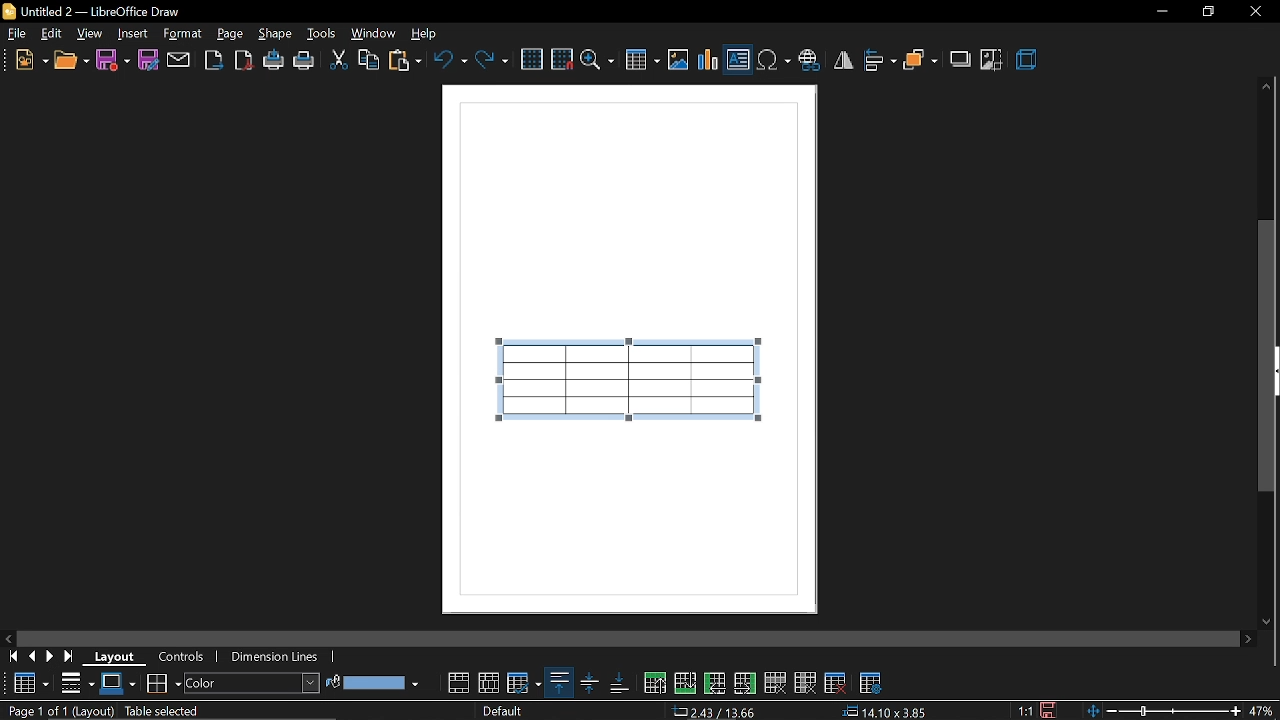 Image resolution: width=1280 pixels, height=720 pixels. I want to click on 14.10x3.85, so click(886, 713).